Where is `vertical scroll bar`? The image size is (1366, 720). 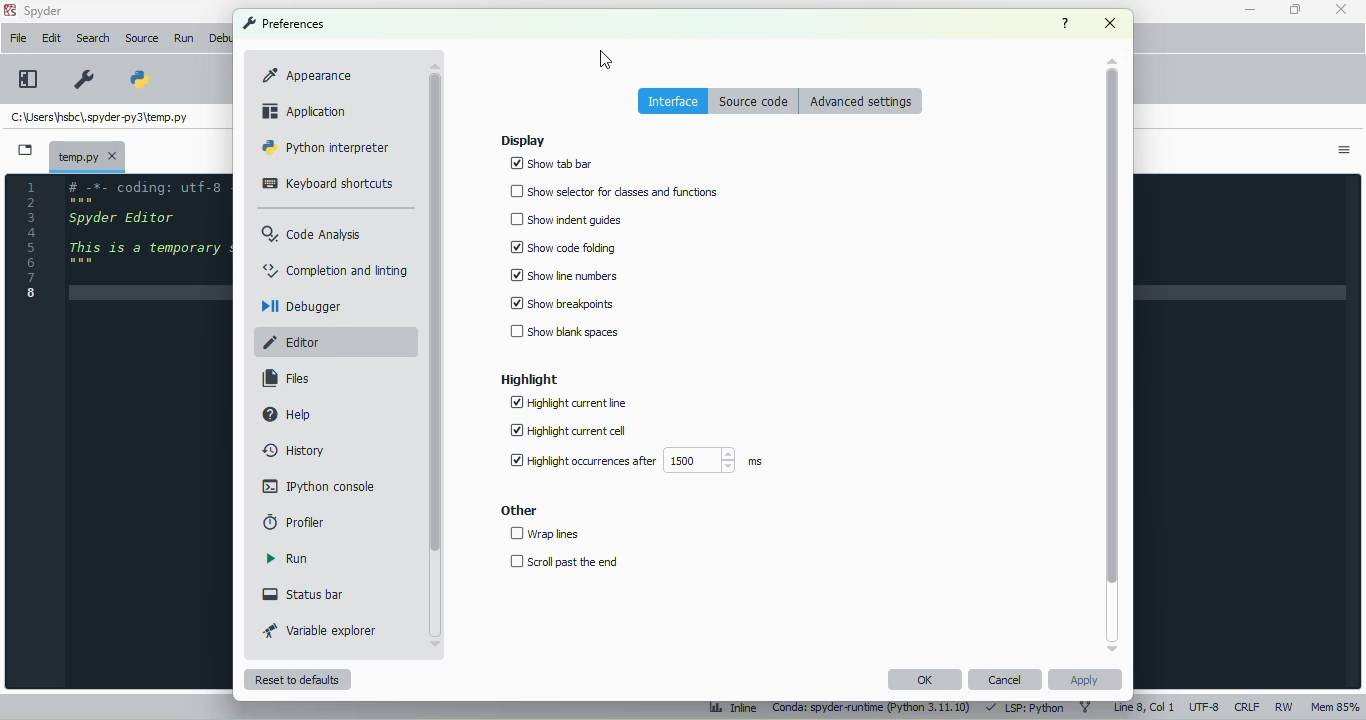
vertical scroll bar is located at coordinates (1112, 353).